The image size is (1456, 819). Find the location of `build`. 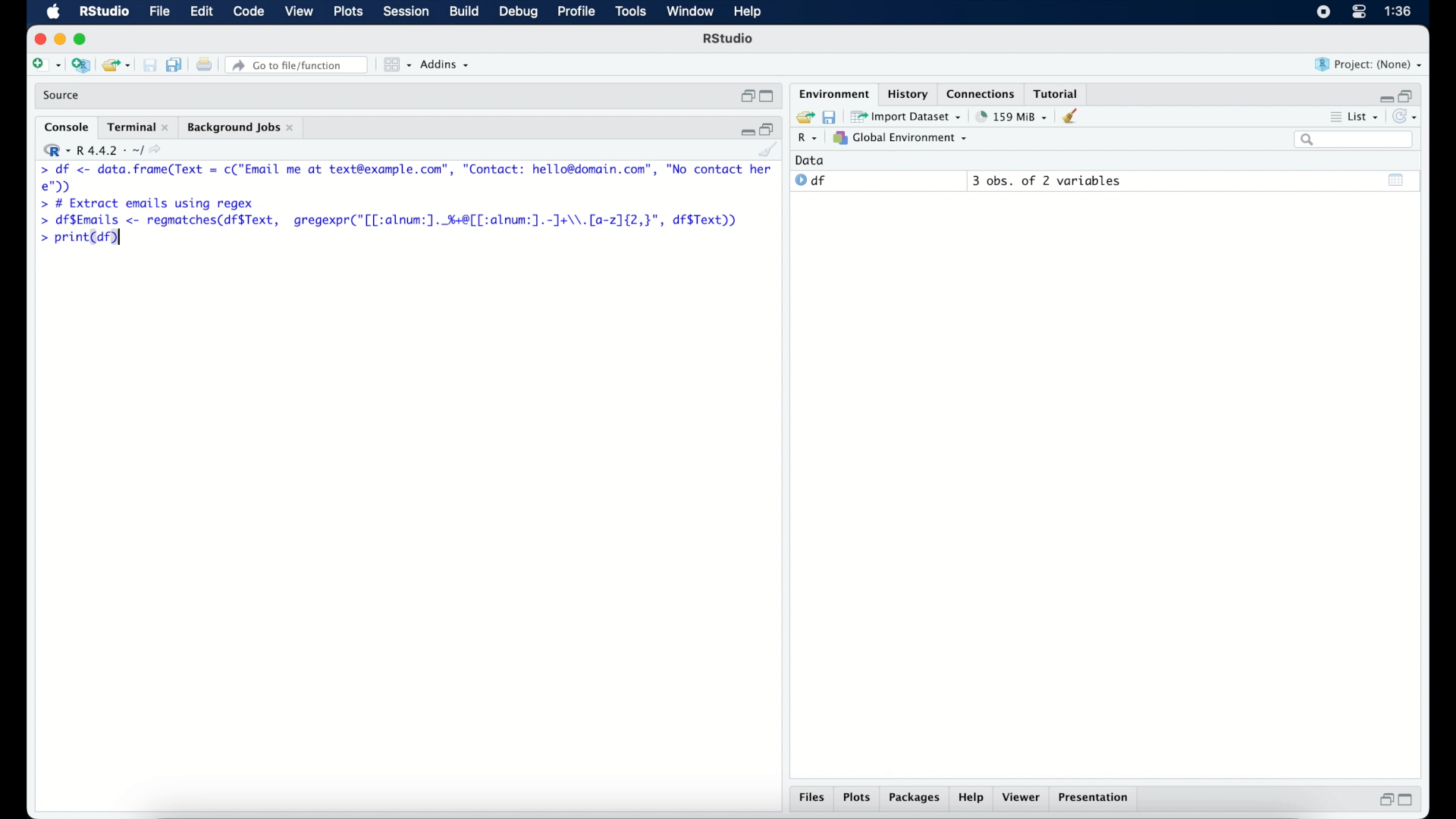

build is located at coordinates (465, 12).